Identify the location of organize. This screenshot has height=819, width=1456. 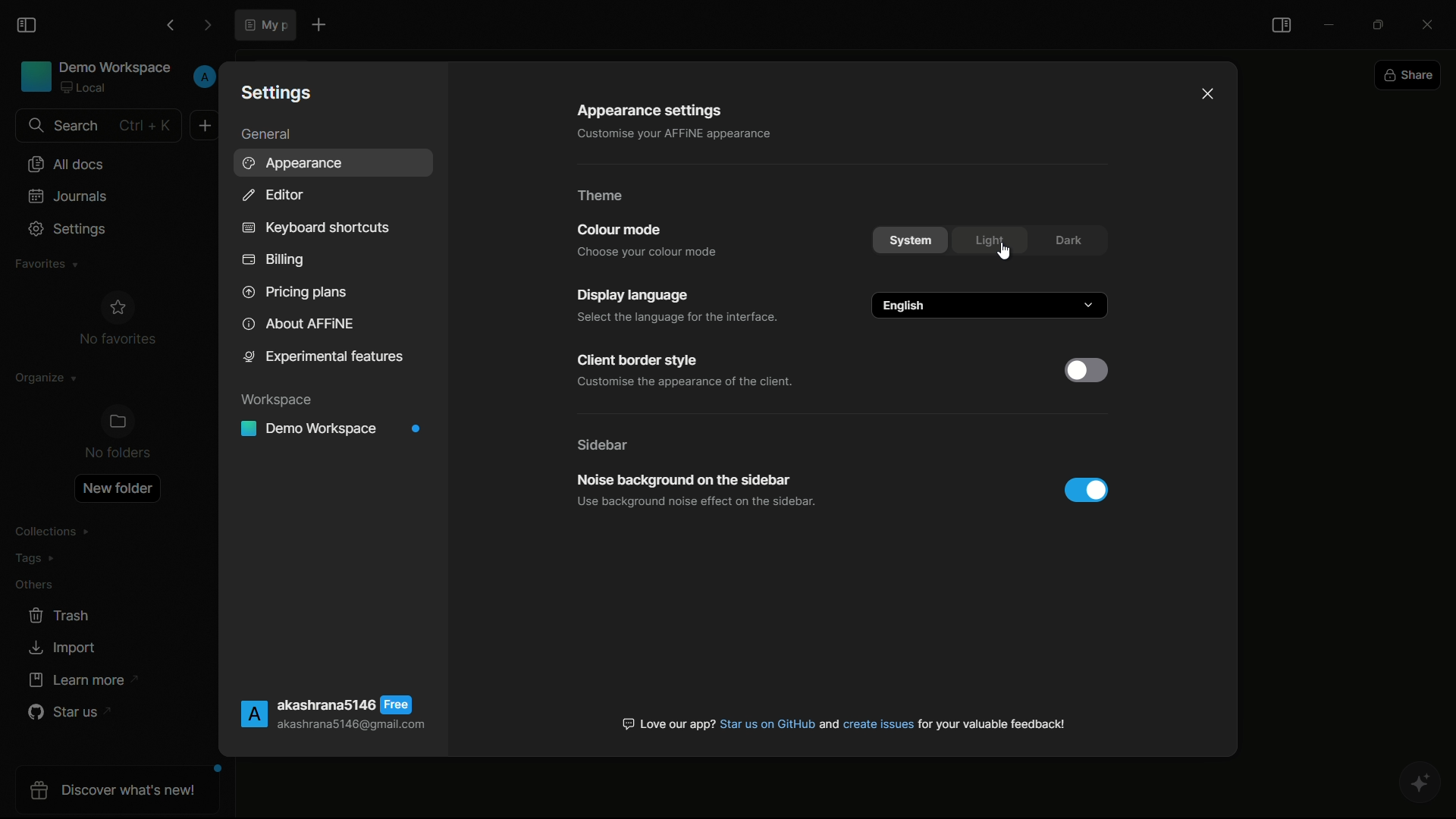
(40, 381).